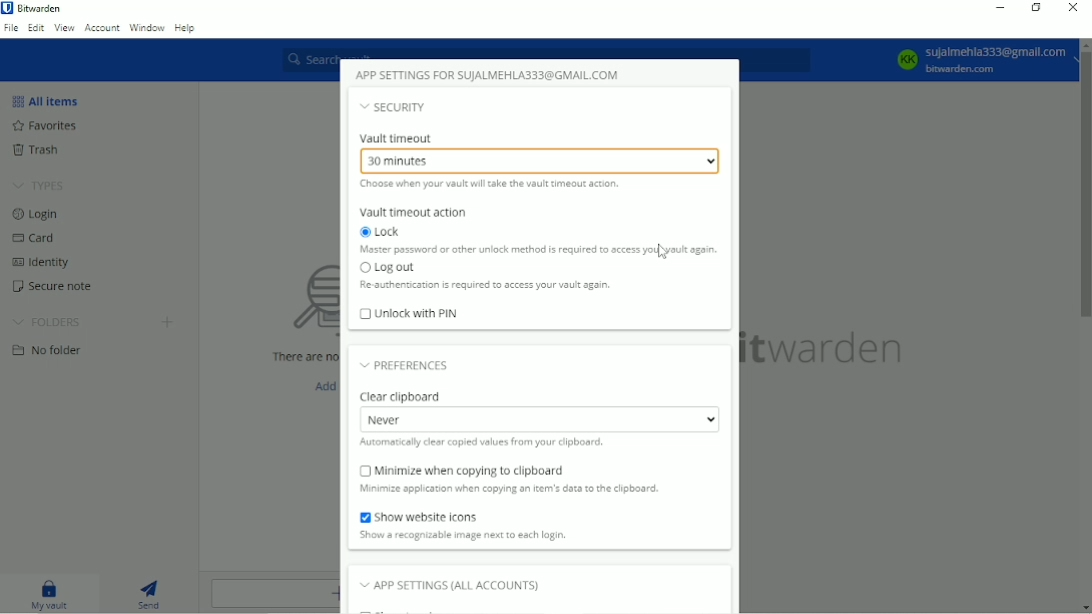 The width and height of the screenshot is (1092, 614). What do you see at coordinates (395, 107) in the screenshot?
I see `Security` at bounding box center [395, 107].